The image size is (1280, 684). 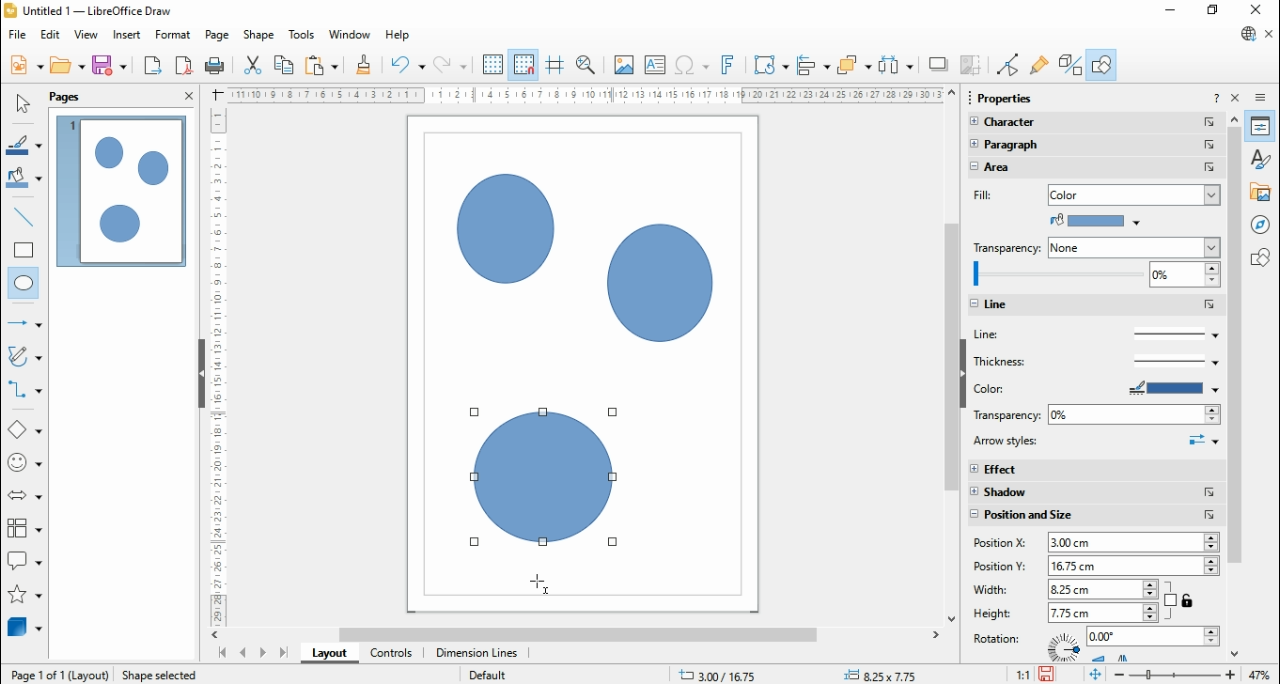 I want to click on snap to grid, so click(x=525, y=64).